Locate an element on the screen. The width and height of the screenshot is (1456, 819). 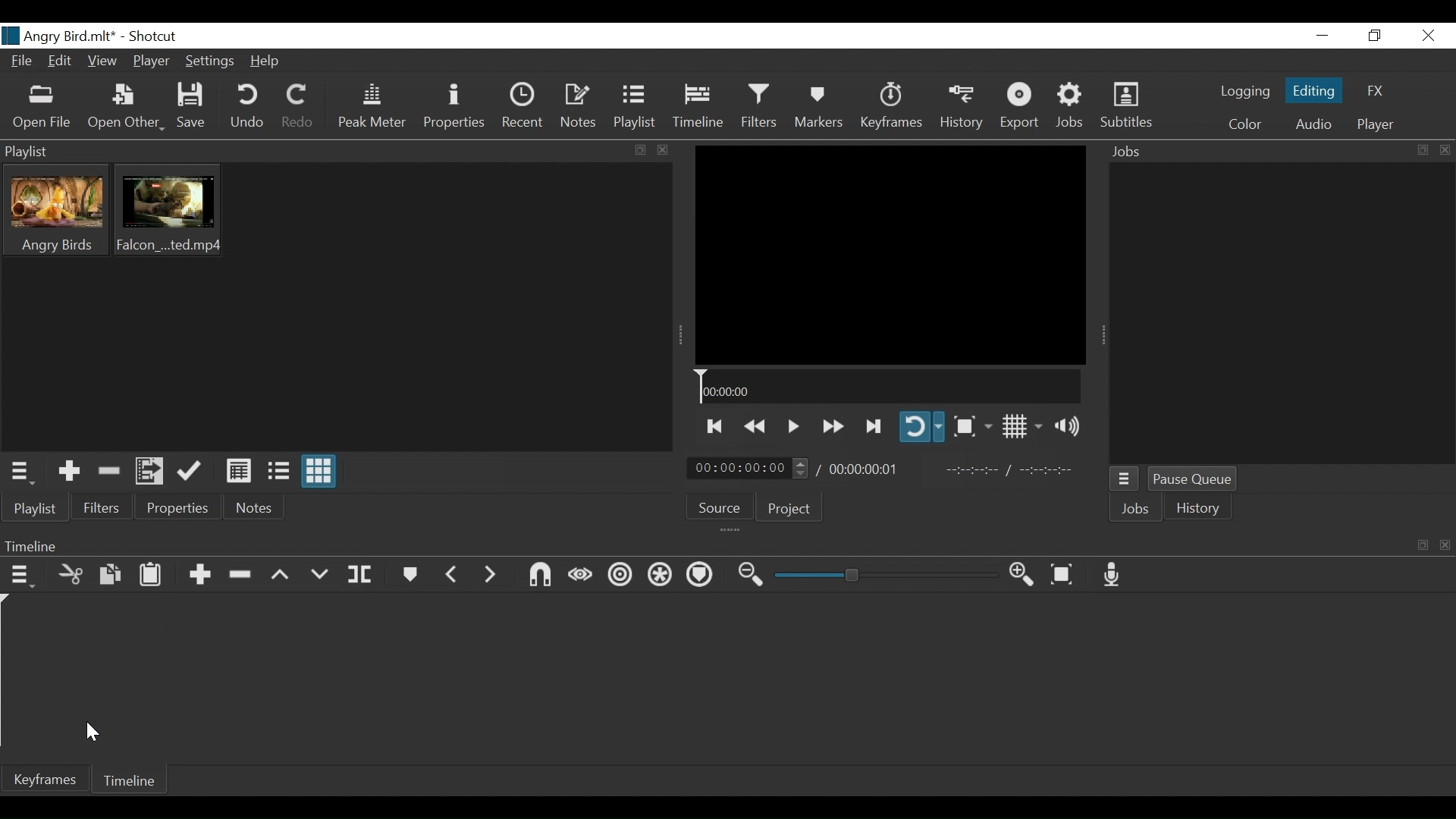
Edit is located at coordinates (61, 61).